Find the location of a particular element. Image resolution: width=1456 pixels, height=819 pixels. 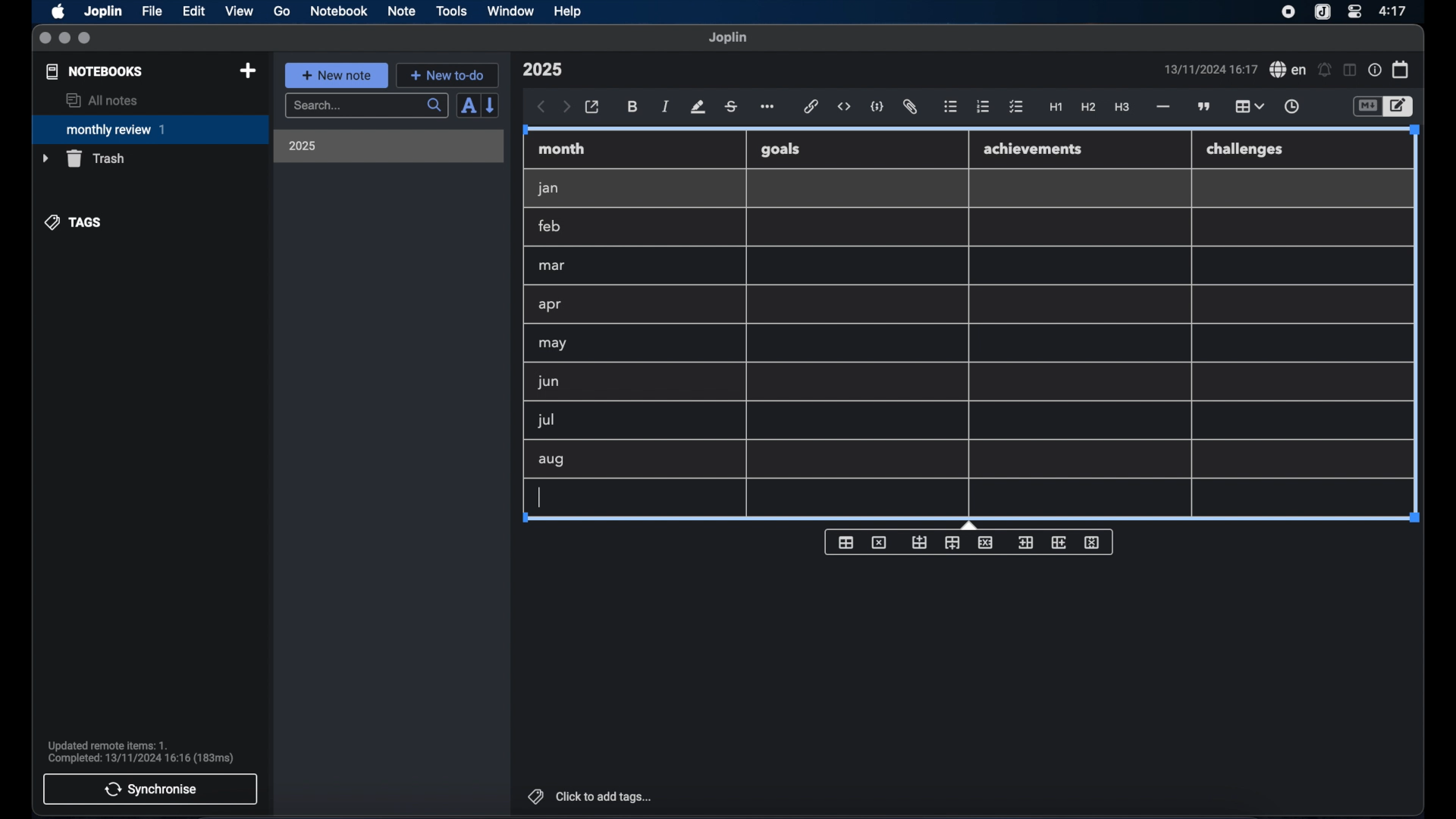

text cursor is located at coordinates (539, 497).